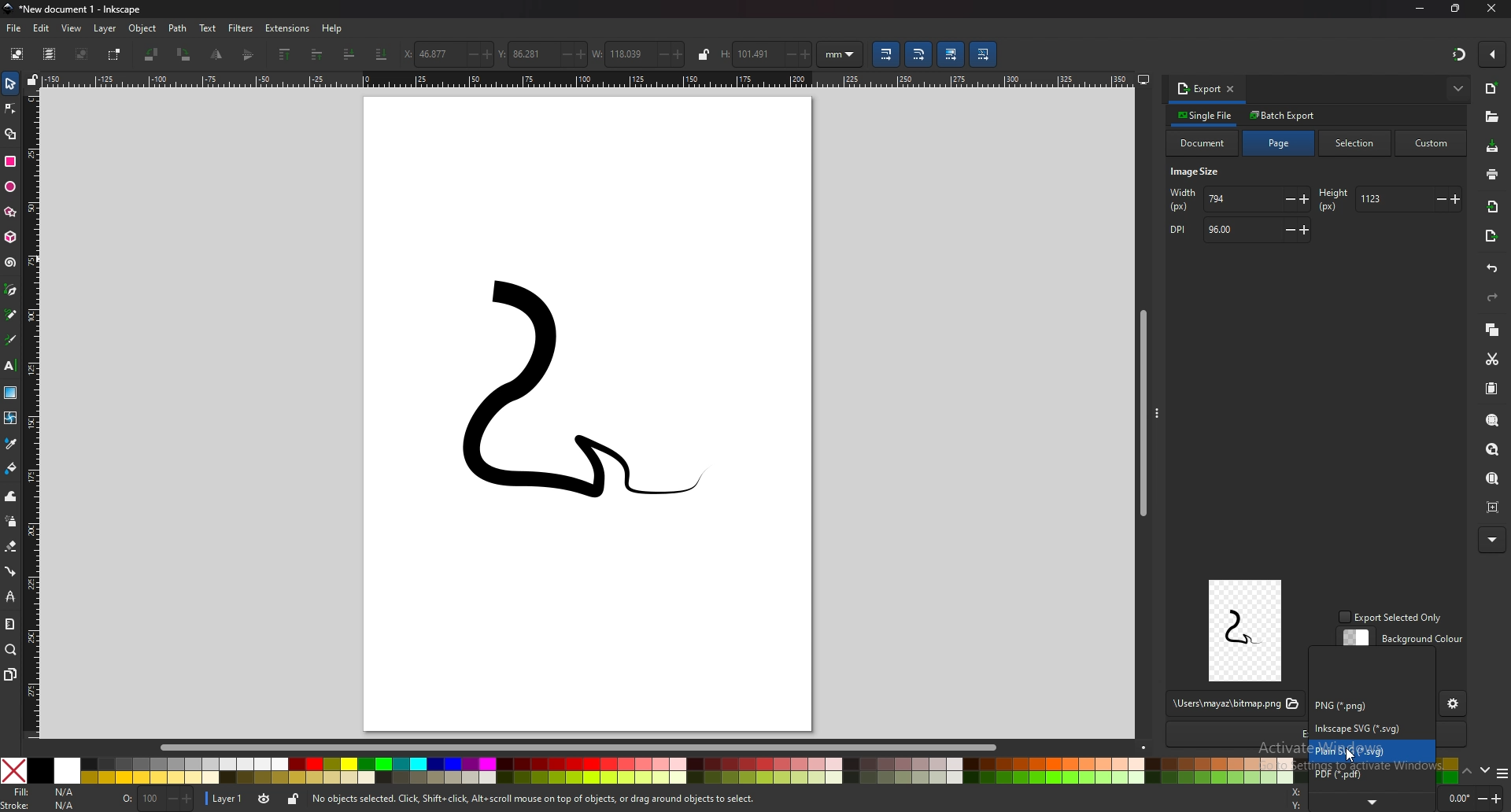 The width and height of the screenshot is (1511, 812). Describe the element at coordinates (1454, 705) in the screenshot. I see `settings` at that location.